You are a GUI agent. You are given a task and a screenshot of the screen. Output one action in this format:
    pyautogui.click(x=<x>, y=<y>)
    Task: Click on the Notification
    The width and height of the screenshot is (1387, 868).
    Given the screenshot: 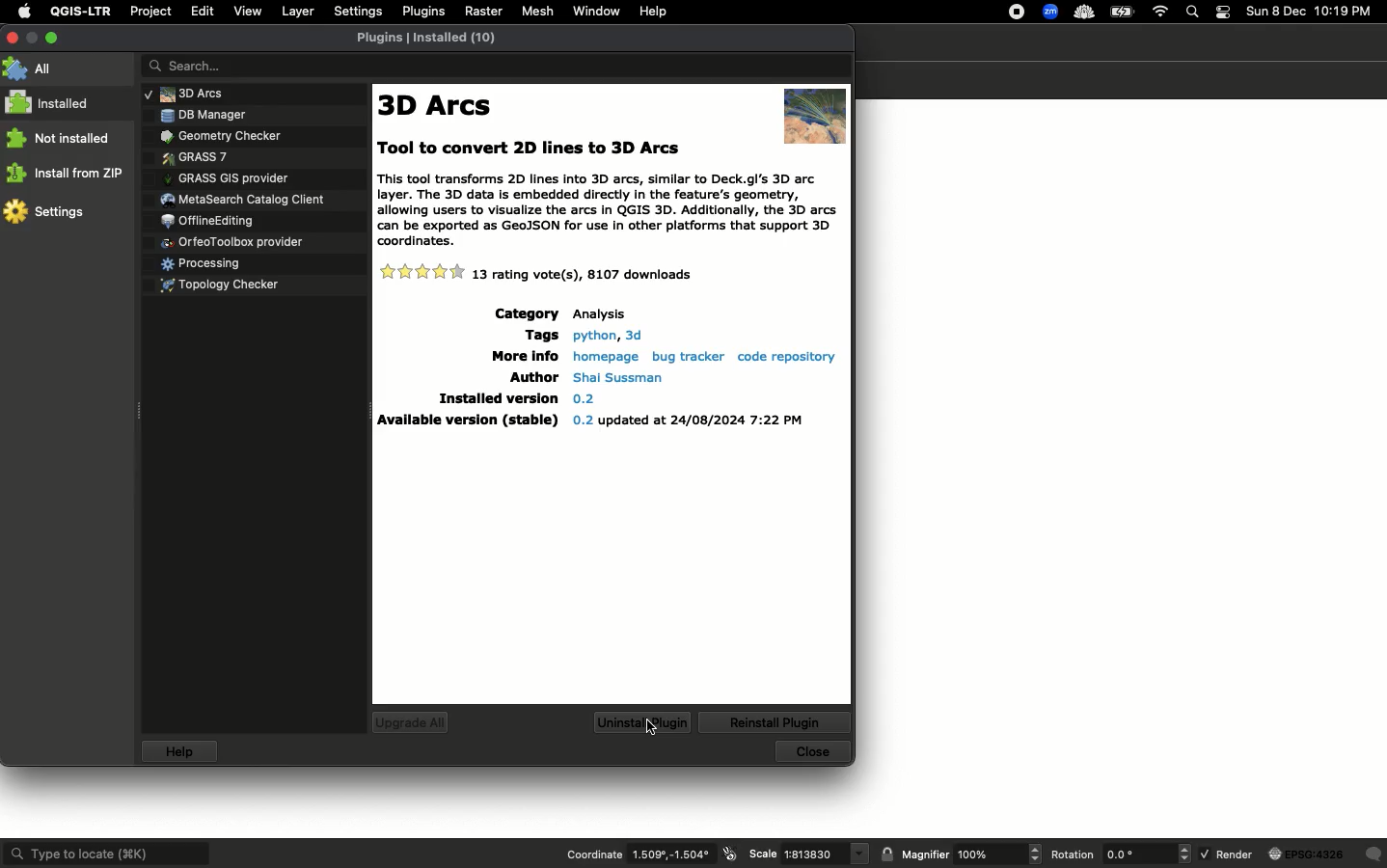 What is the action you would take?
    pyautogui.click(x=1226, y=13)
    